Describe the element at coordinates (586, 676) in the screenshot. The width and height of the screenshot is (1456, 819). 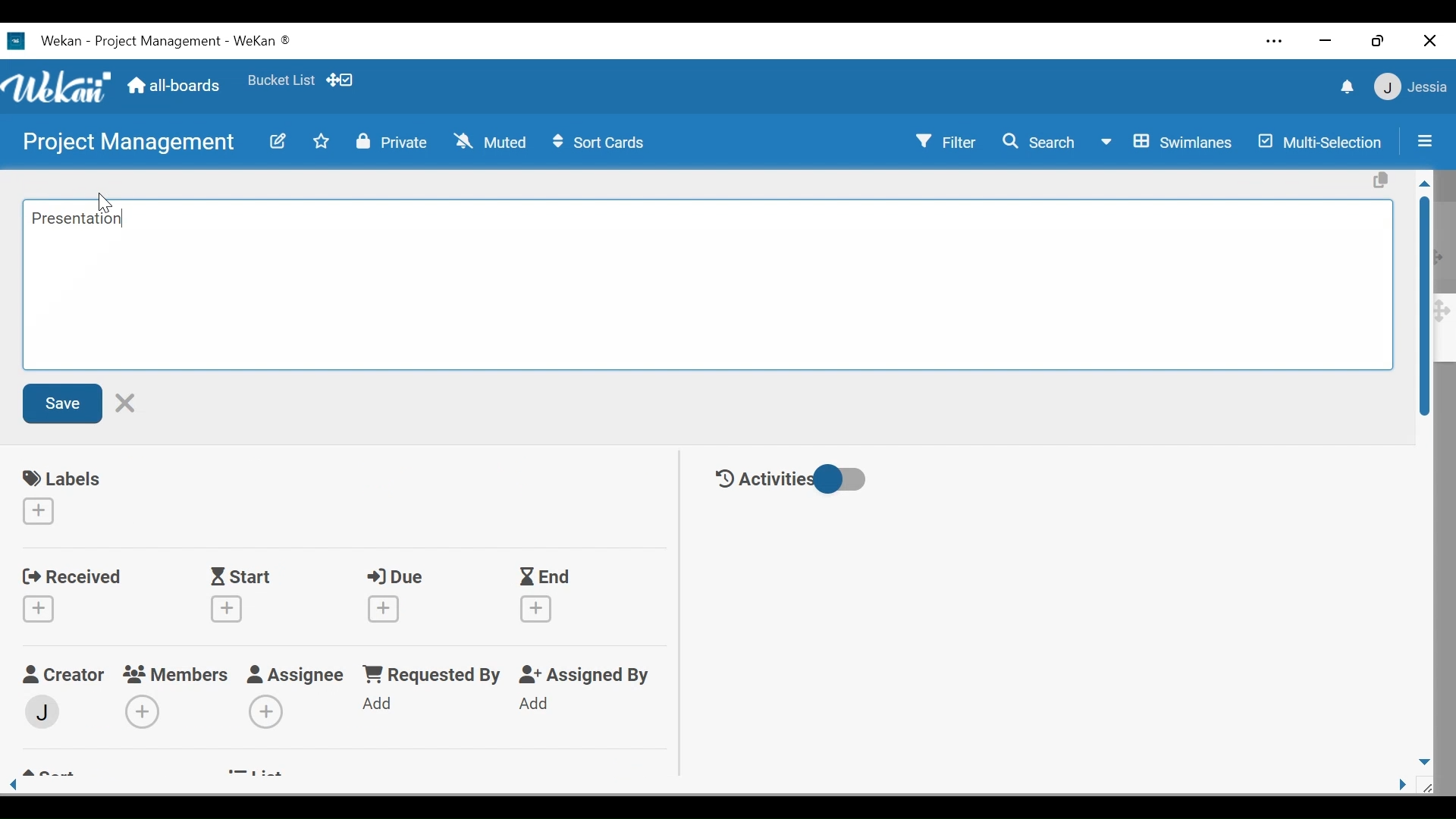
I see `Assigned By` at that location.